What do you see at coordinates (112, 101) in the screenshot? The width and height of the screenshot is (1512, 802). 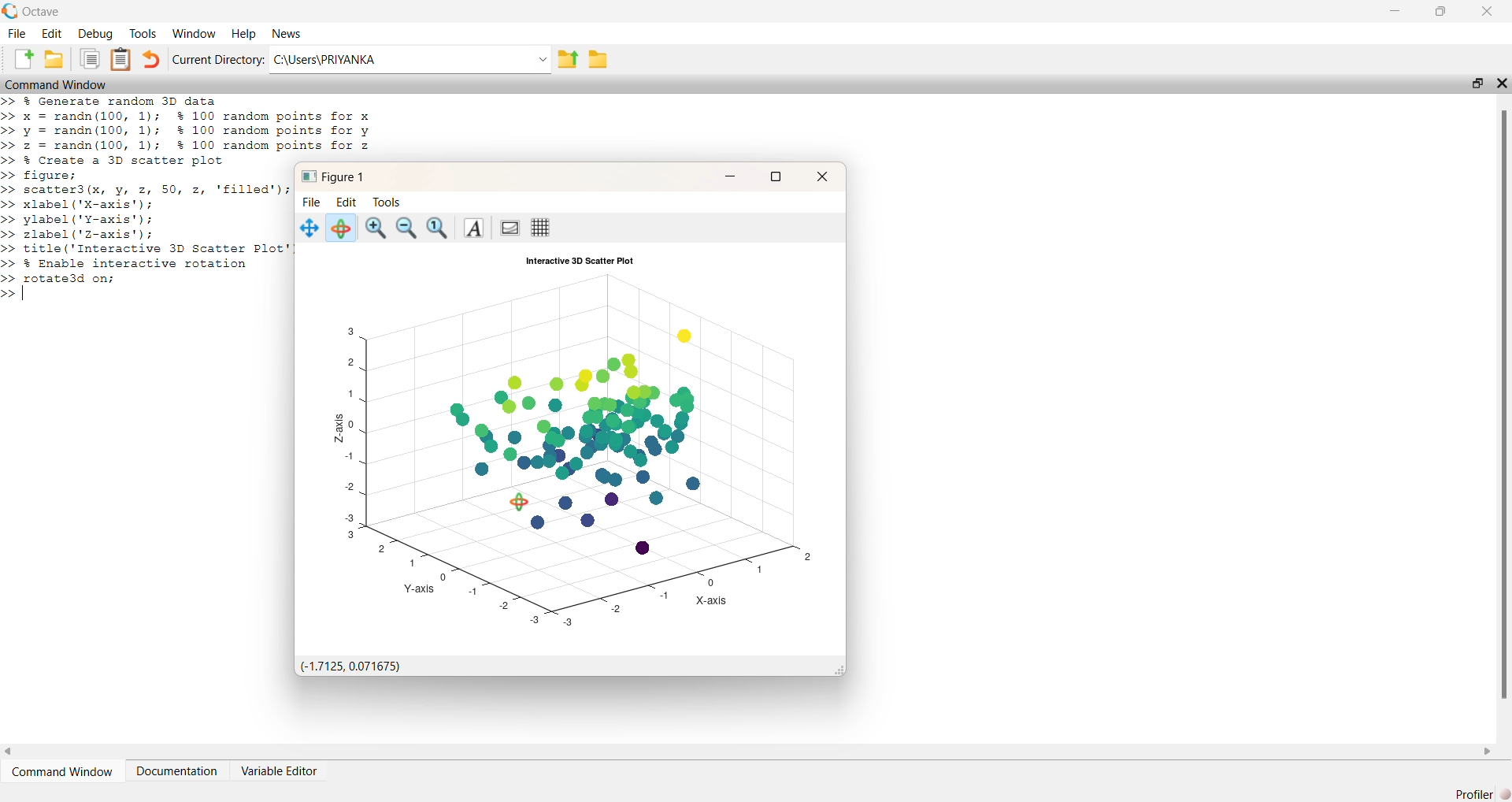 I see `>> % Generate random 3D data` at bounding box center [112, 101].